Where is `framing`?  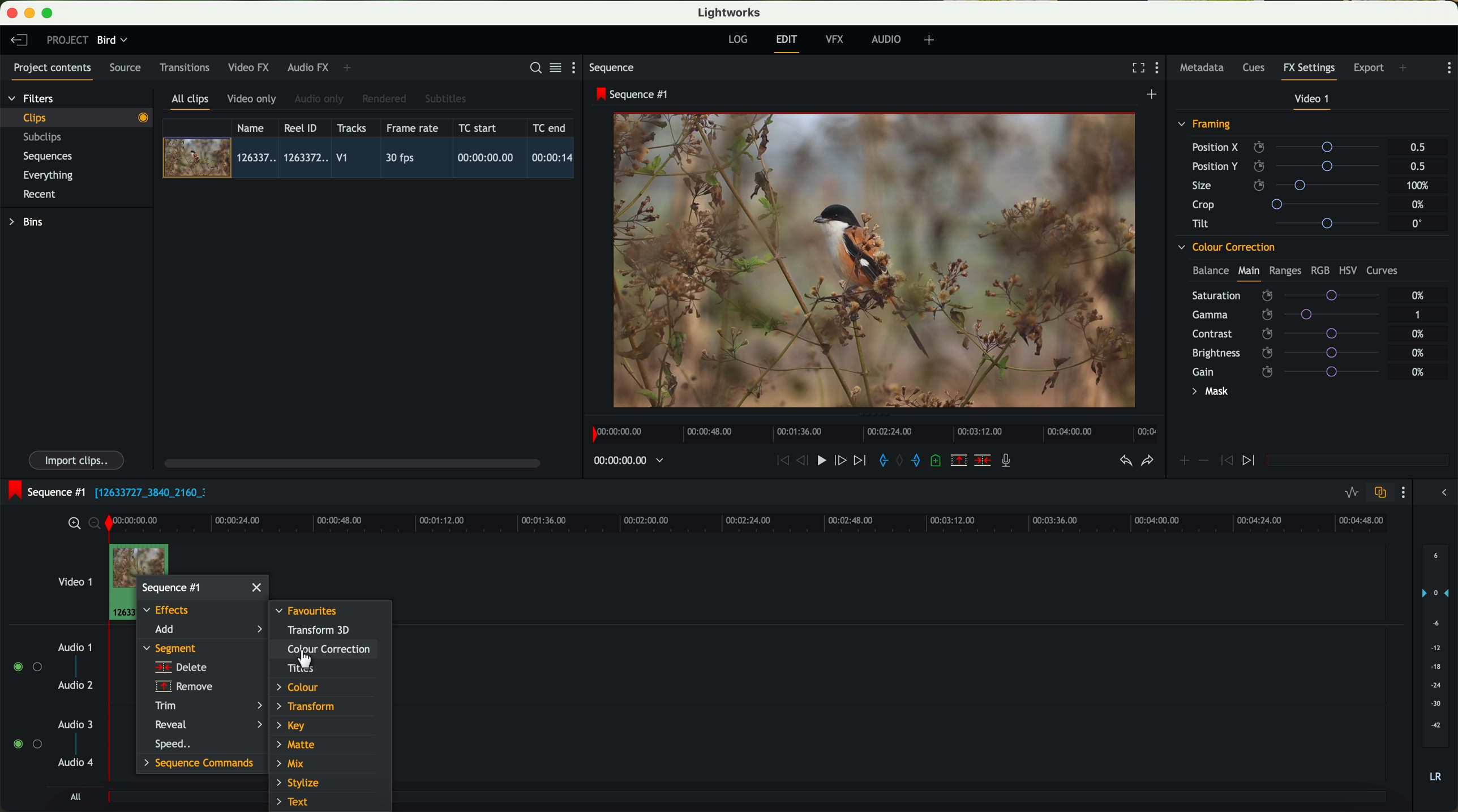 framing is located at coordinates (1205, 126).